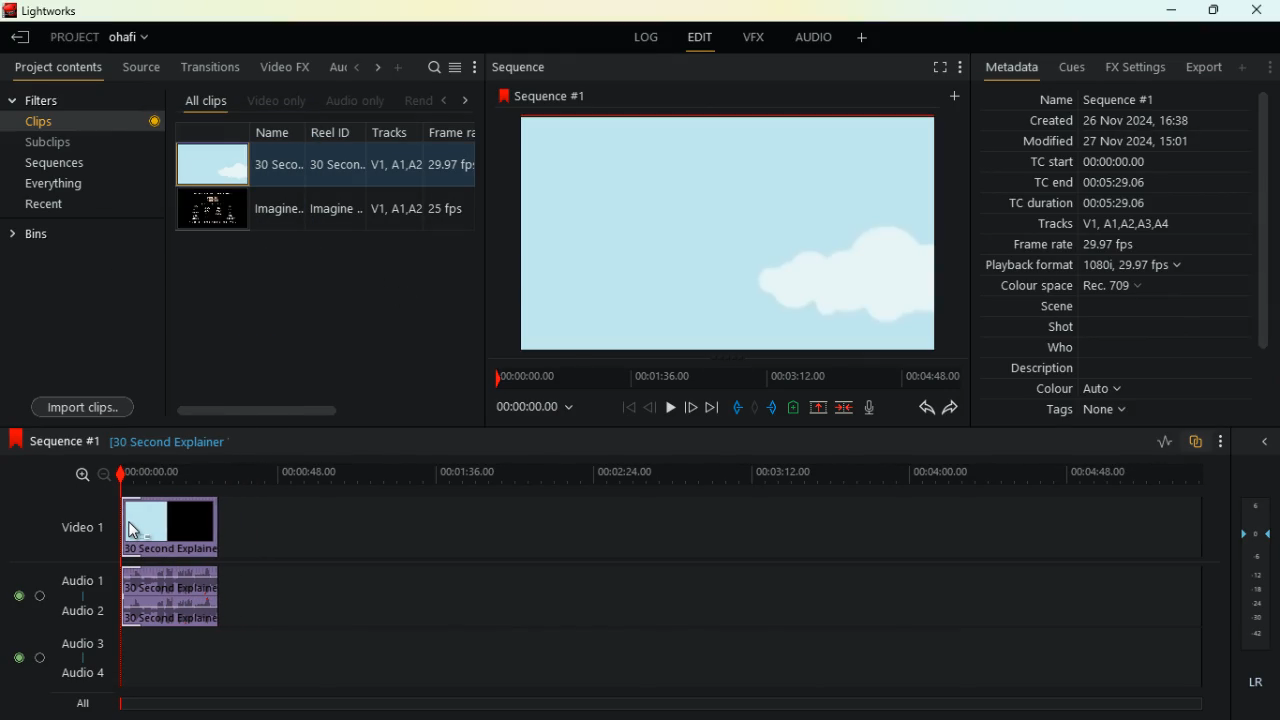 This screenshot has width=1280, height=720. I want to click on more, so click(474, 67).